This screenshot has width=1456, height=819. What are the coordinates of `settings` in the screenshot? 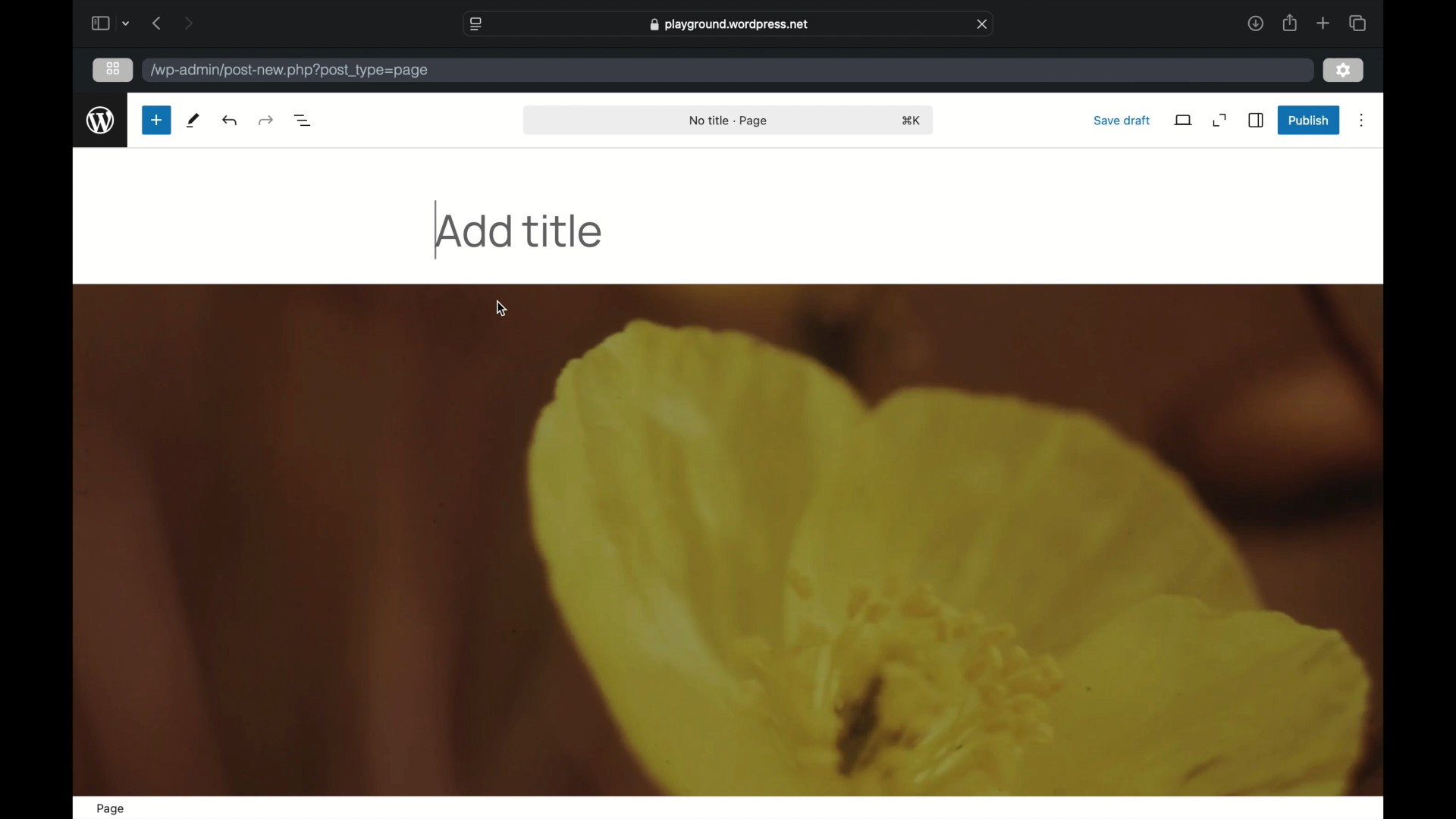 It's located at (1343, 69).